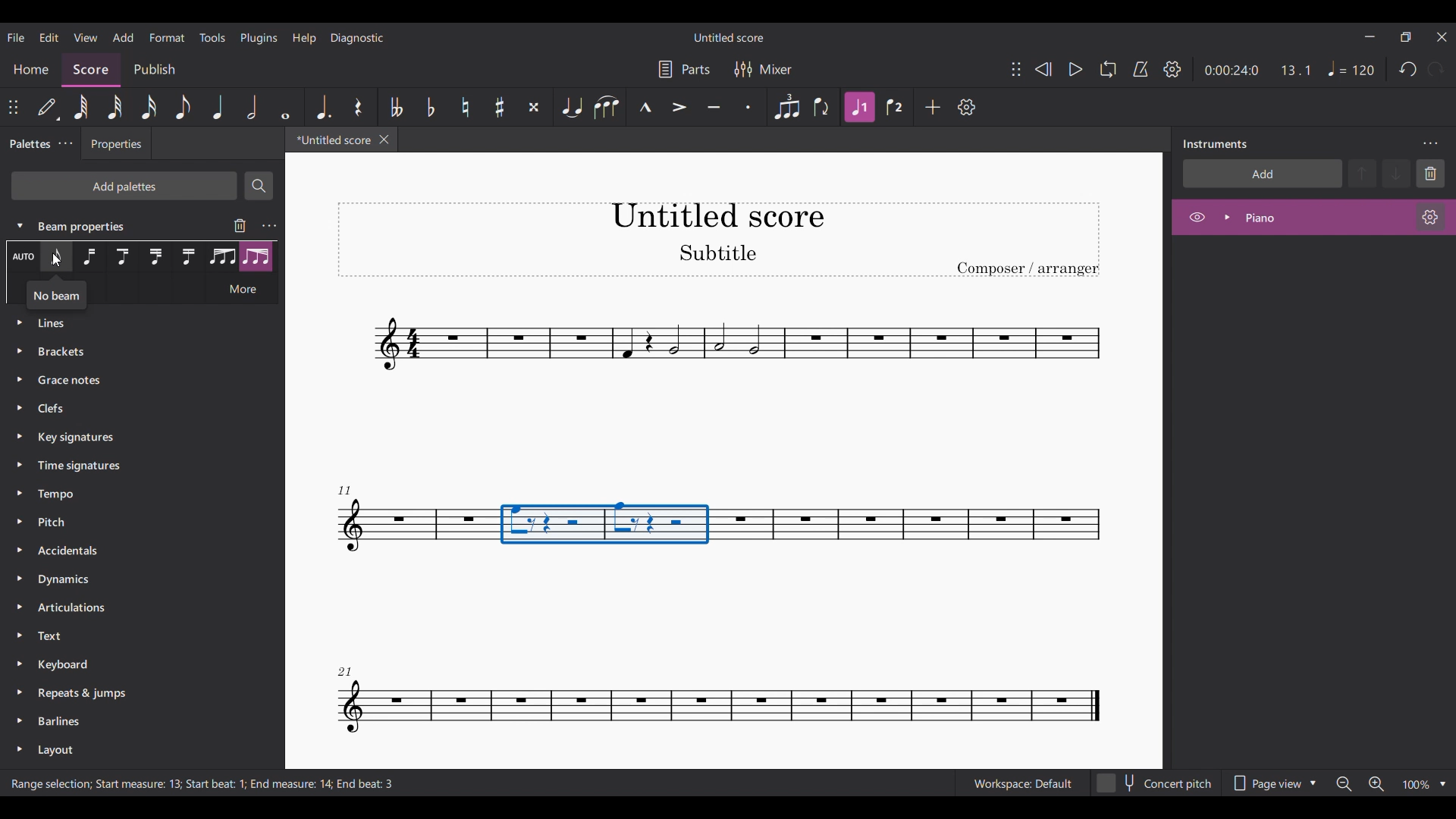 The height and width of the screenshot is (819, 1456). What do you see at coordinates (329, 143) in the screenshot?
I see `Current score` at bounding box center [329, 143].